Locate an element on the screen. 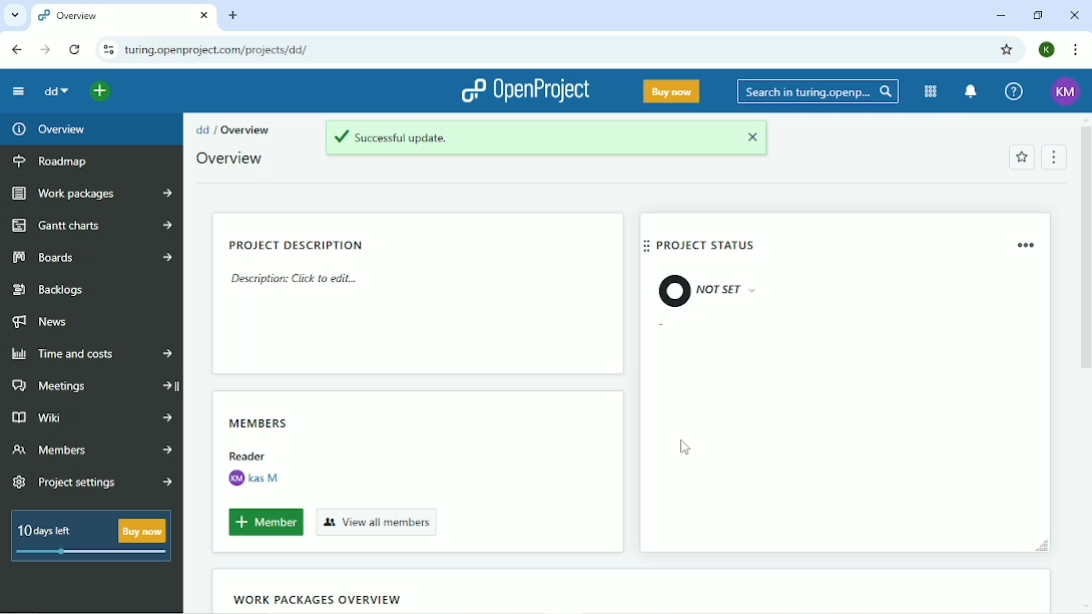 Image resolution: width=1092 pixels, height=614 pixels. Account is located at coordinates (1064, 92).